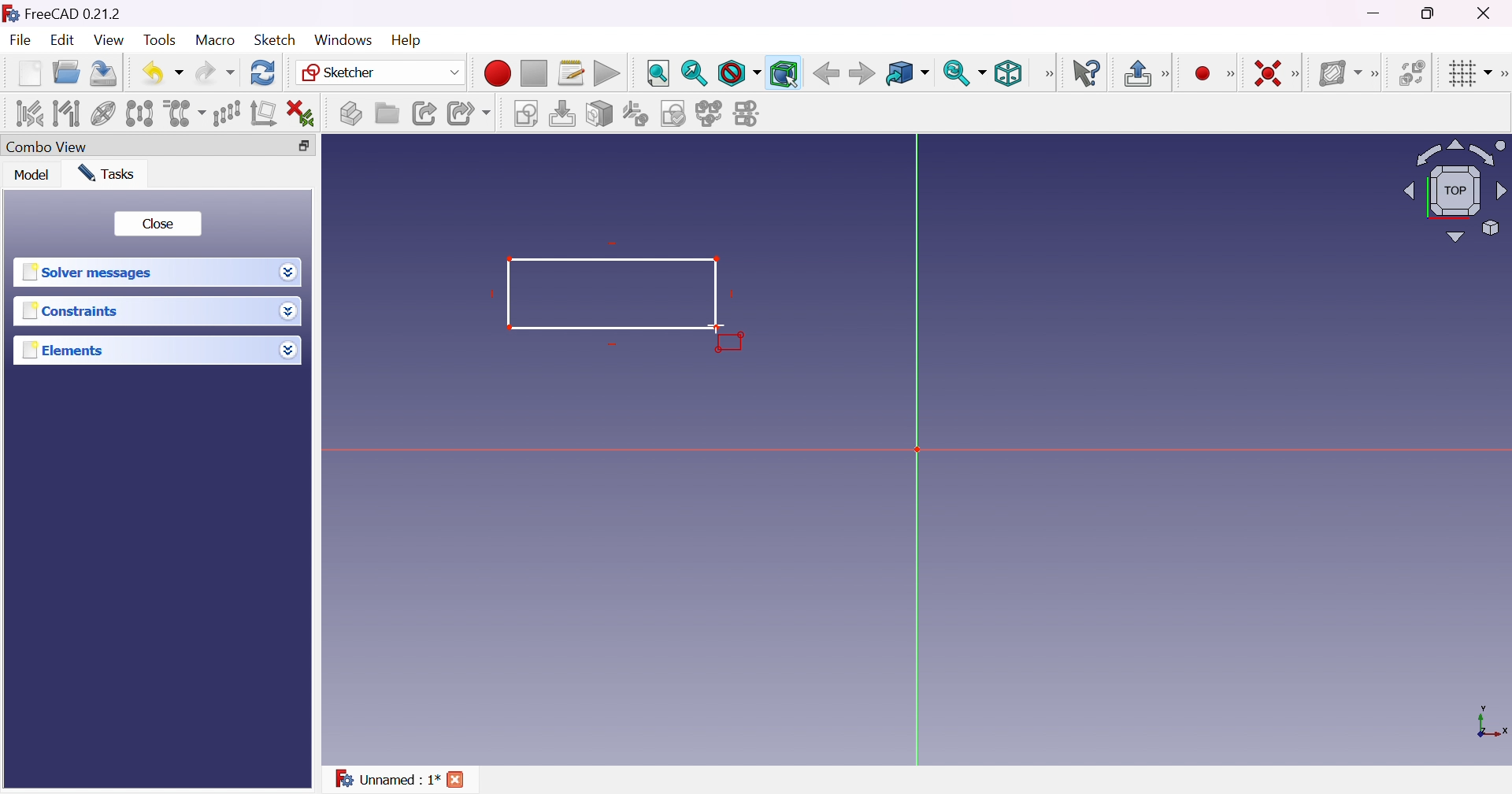 This screenshot has height=794, width=1512. I want to click on Solver message, so click(91, 273).